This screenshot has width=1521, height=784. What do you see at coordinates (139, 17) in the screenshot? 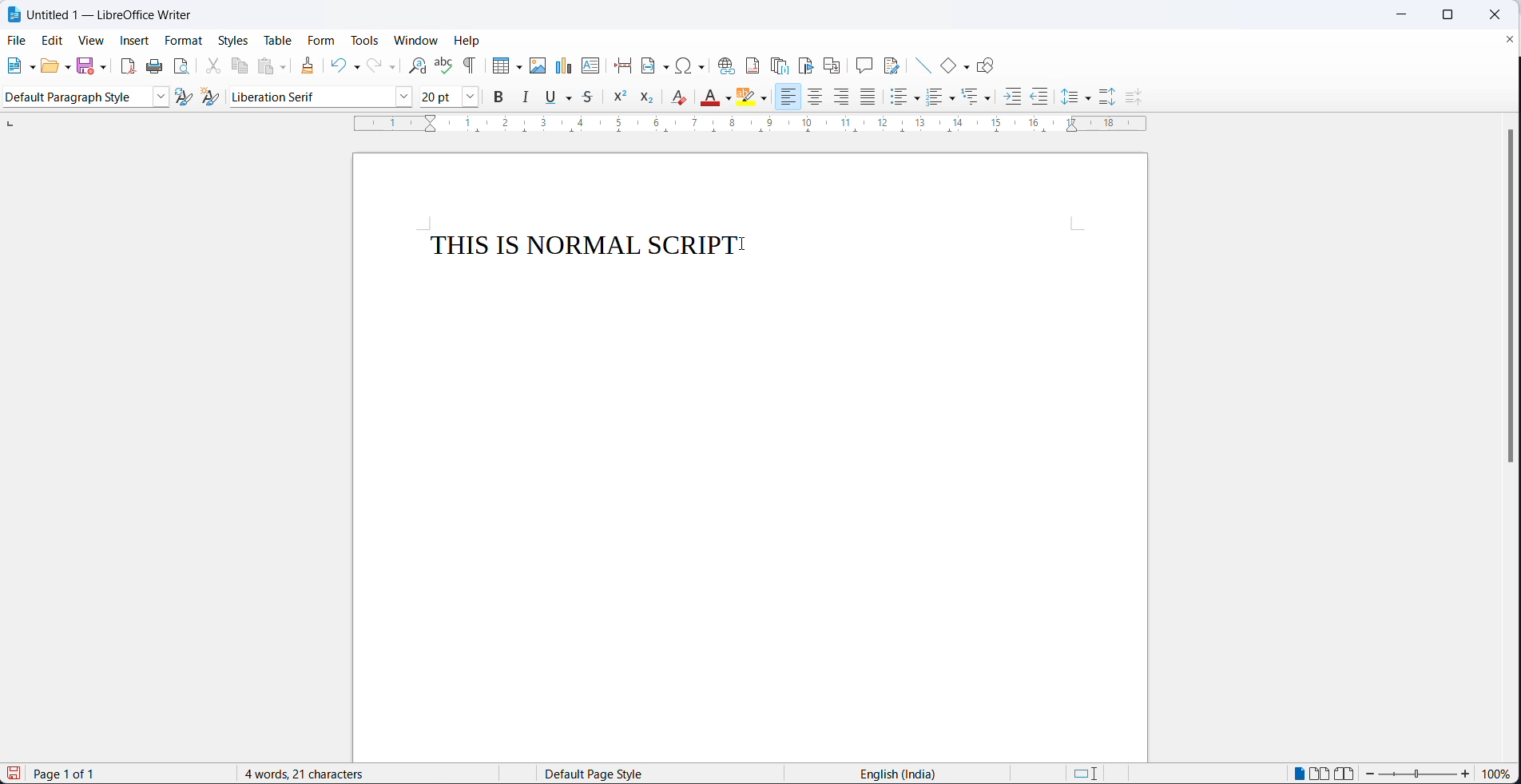
I see `untitied 1 — LibreOffice Writer` at bounding box center [139, 17].